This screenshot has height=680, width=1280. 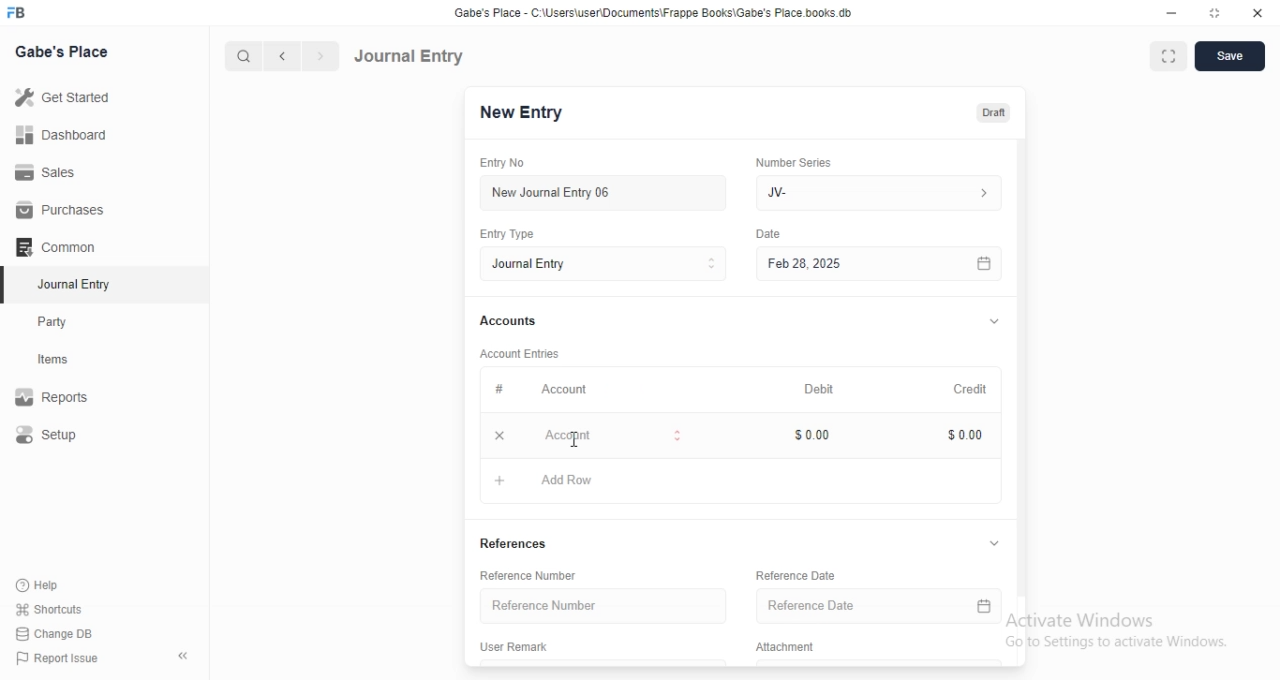 What do you see at coordinates (528, 352) in the screenshot?
I see `‘Account Entries.` at bounding box center [528, 352].